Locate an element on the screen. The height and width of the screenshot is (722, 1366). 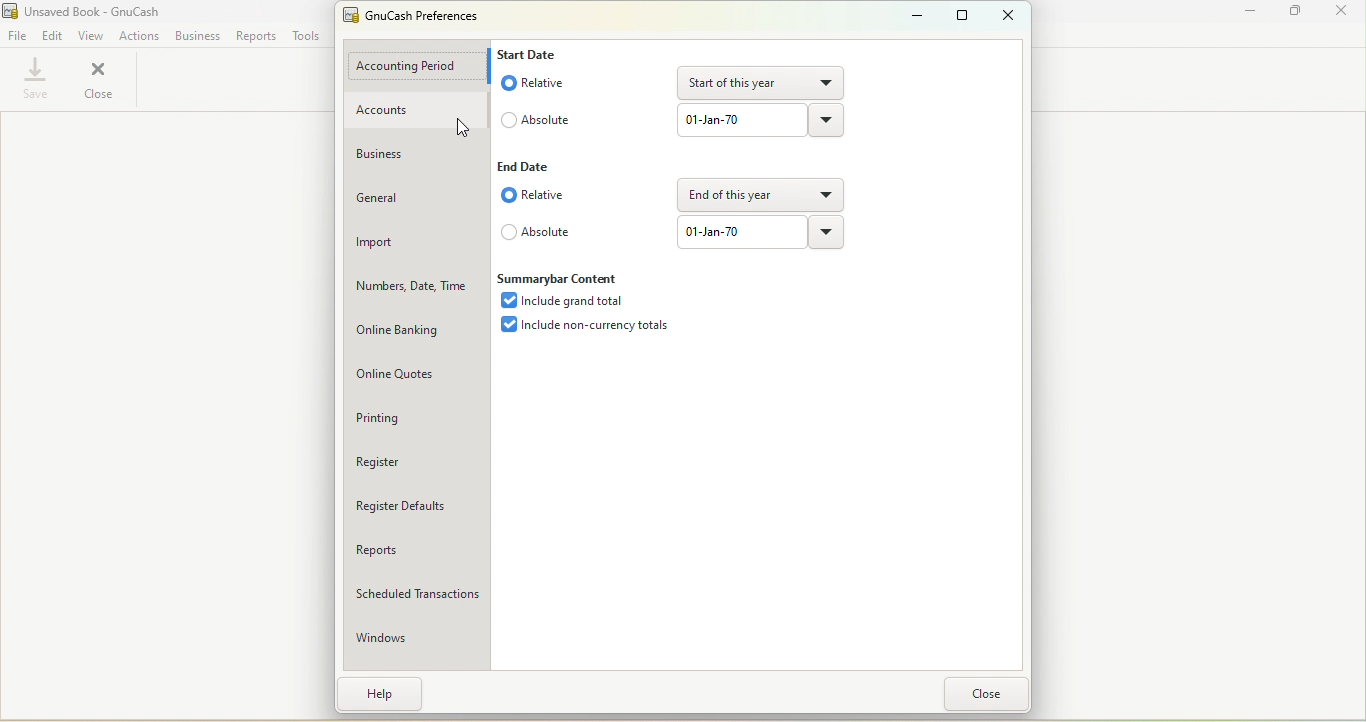
Actions is located at coordinates (140, 34).